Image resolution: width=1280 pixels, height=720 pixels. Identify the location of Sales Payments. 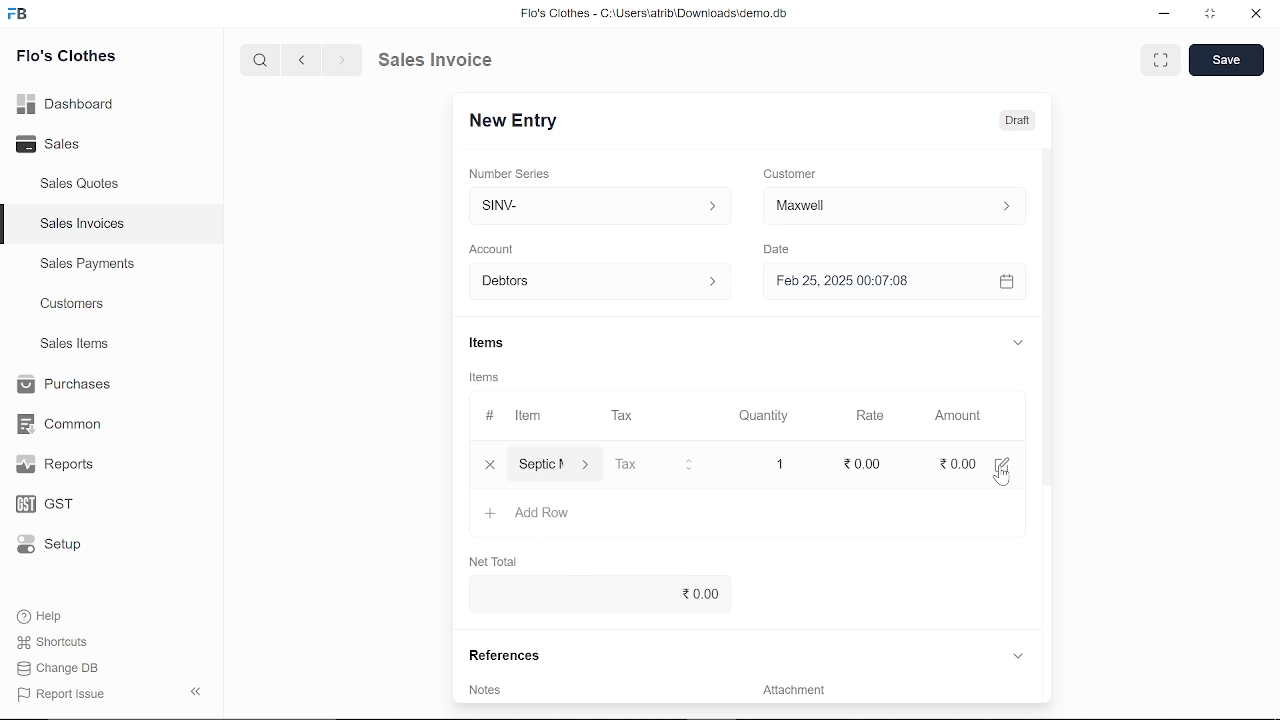
(87, 264).